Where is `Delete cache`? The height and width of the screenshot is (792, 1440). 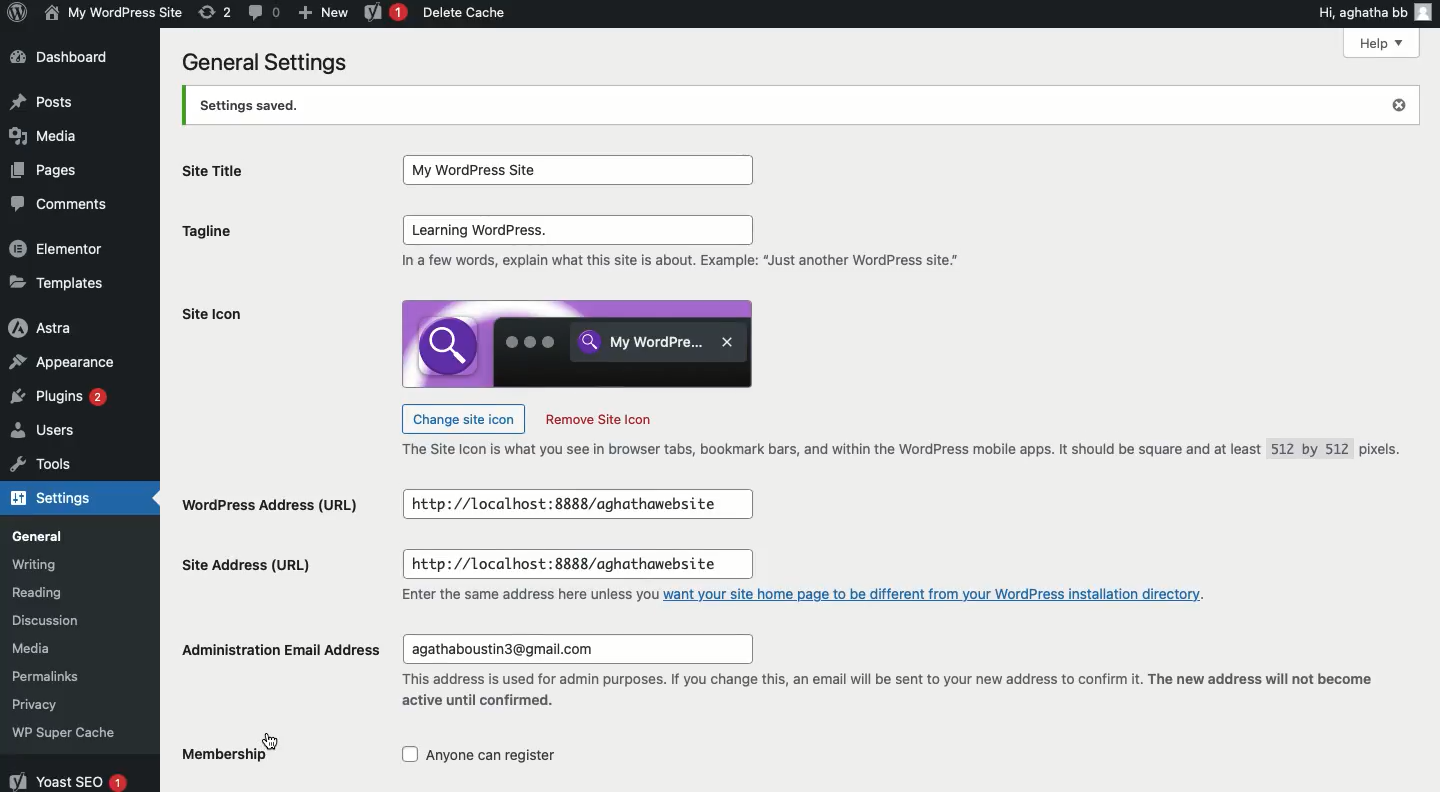
Delete cache is located at coordinates (466, 14).